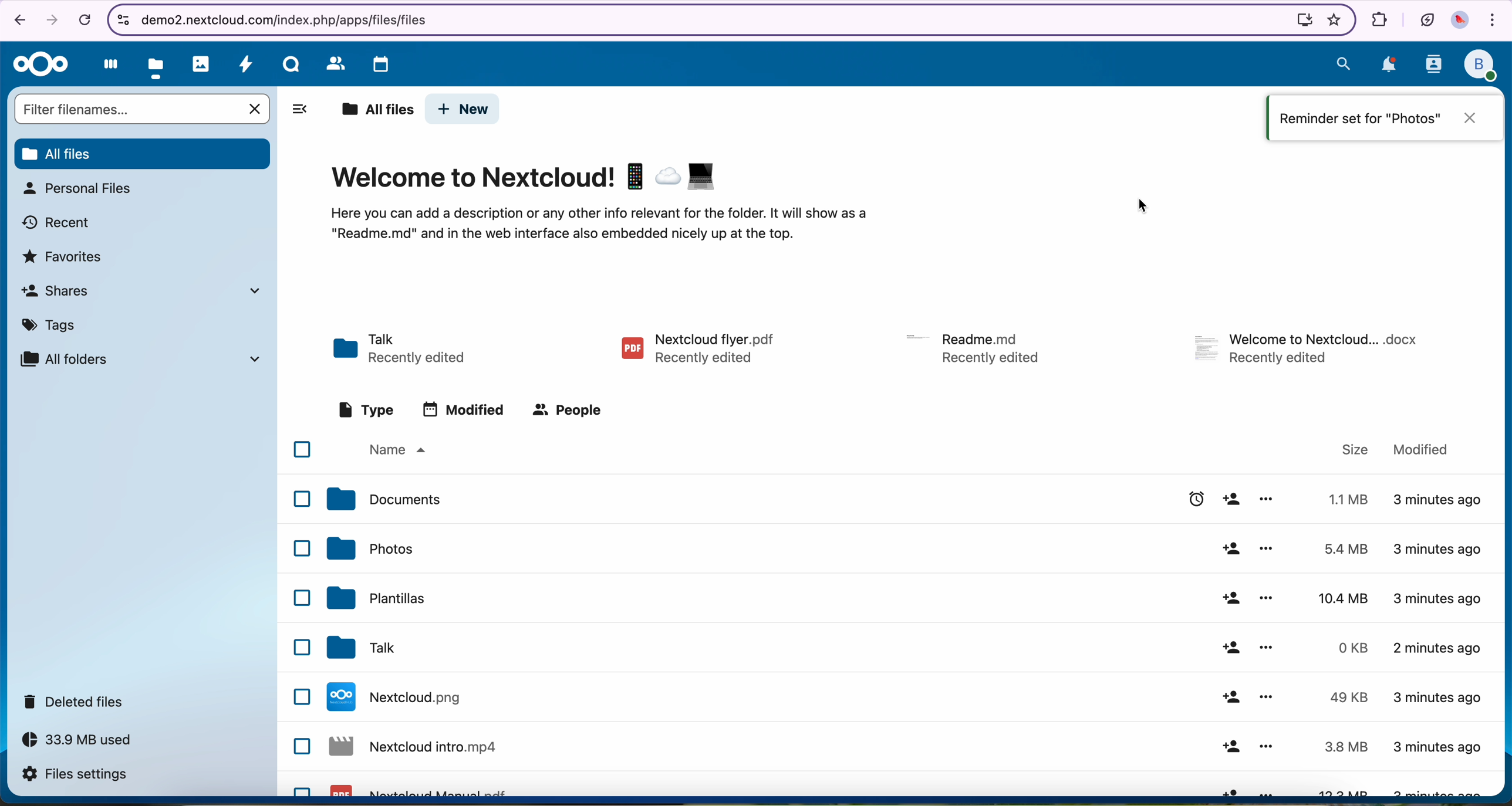  Describe the element at coordinates (1266, 749) in the screenshot. I see `more options` at that location.